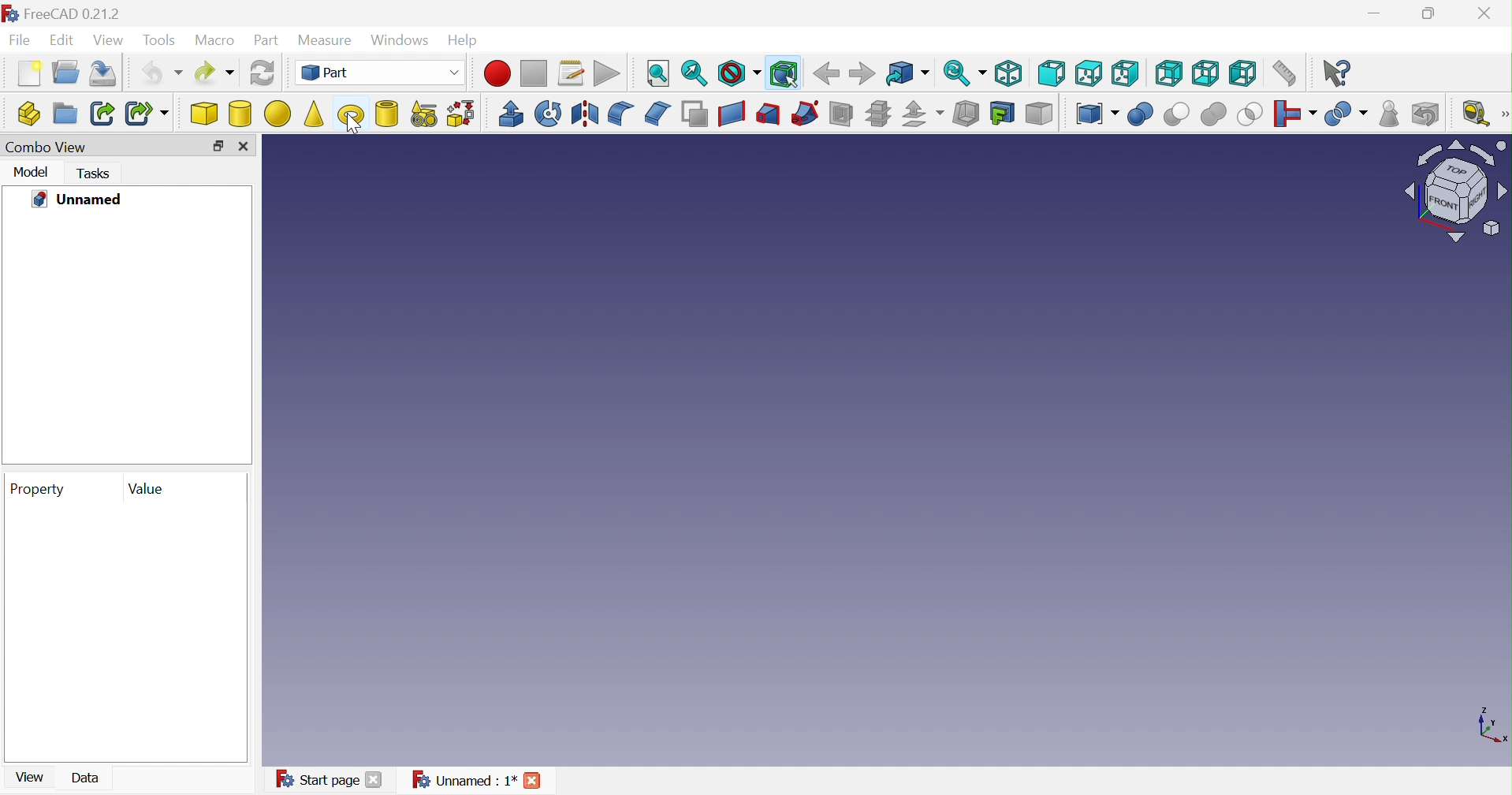 The image size is (1512, 795). Describe the element at coordinates (217, 147) in the screenshot. I see `Restore down` at that location.